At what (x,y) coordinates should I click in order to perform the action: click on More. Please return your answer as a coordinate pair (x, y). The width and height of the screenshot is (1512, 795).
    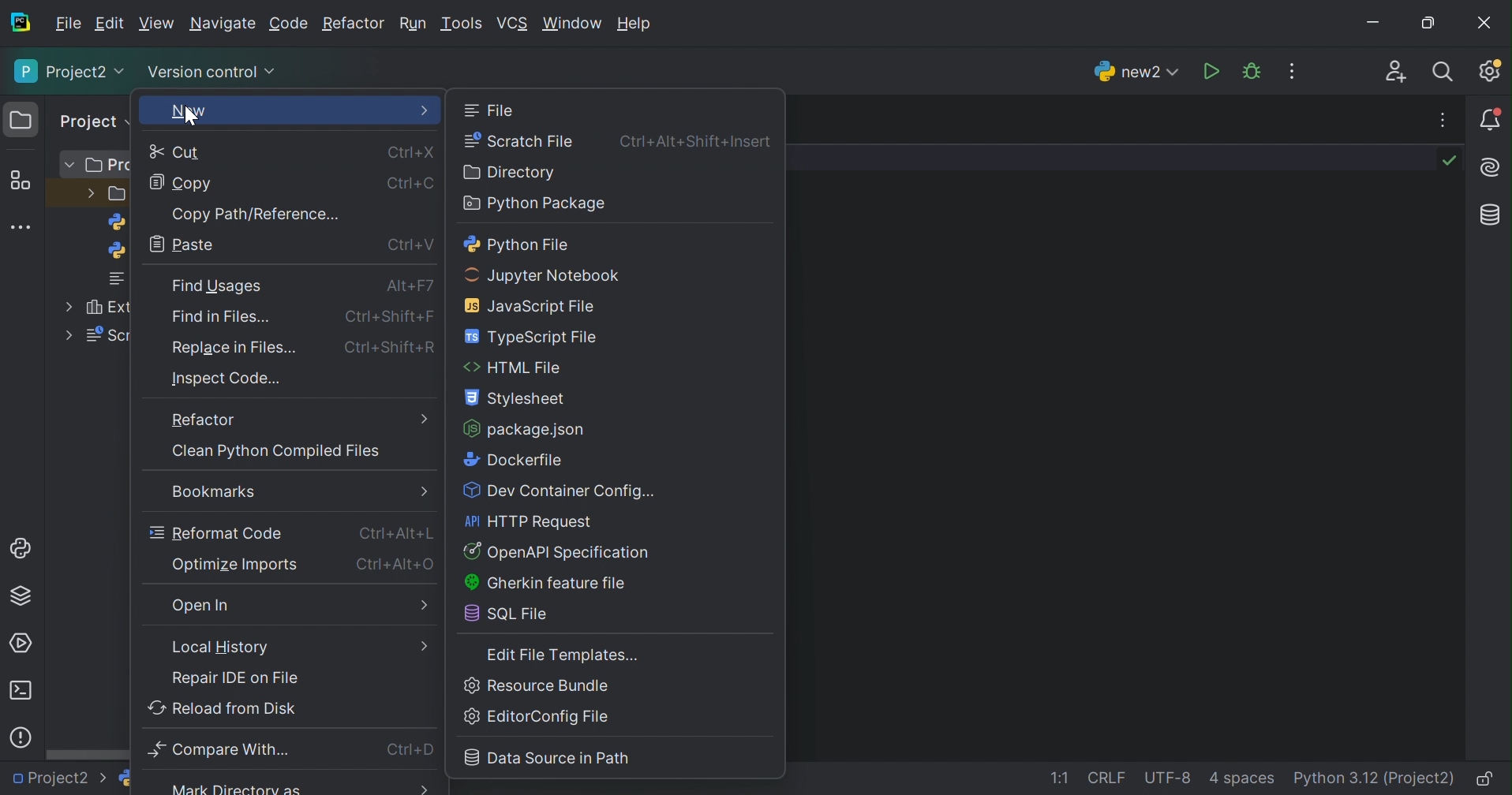
    Looking at the image, I should click on (88, 192).